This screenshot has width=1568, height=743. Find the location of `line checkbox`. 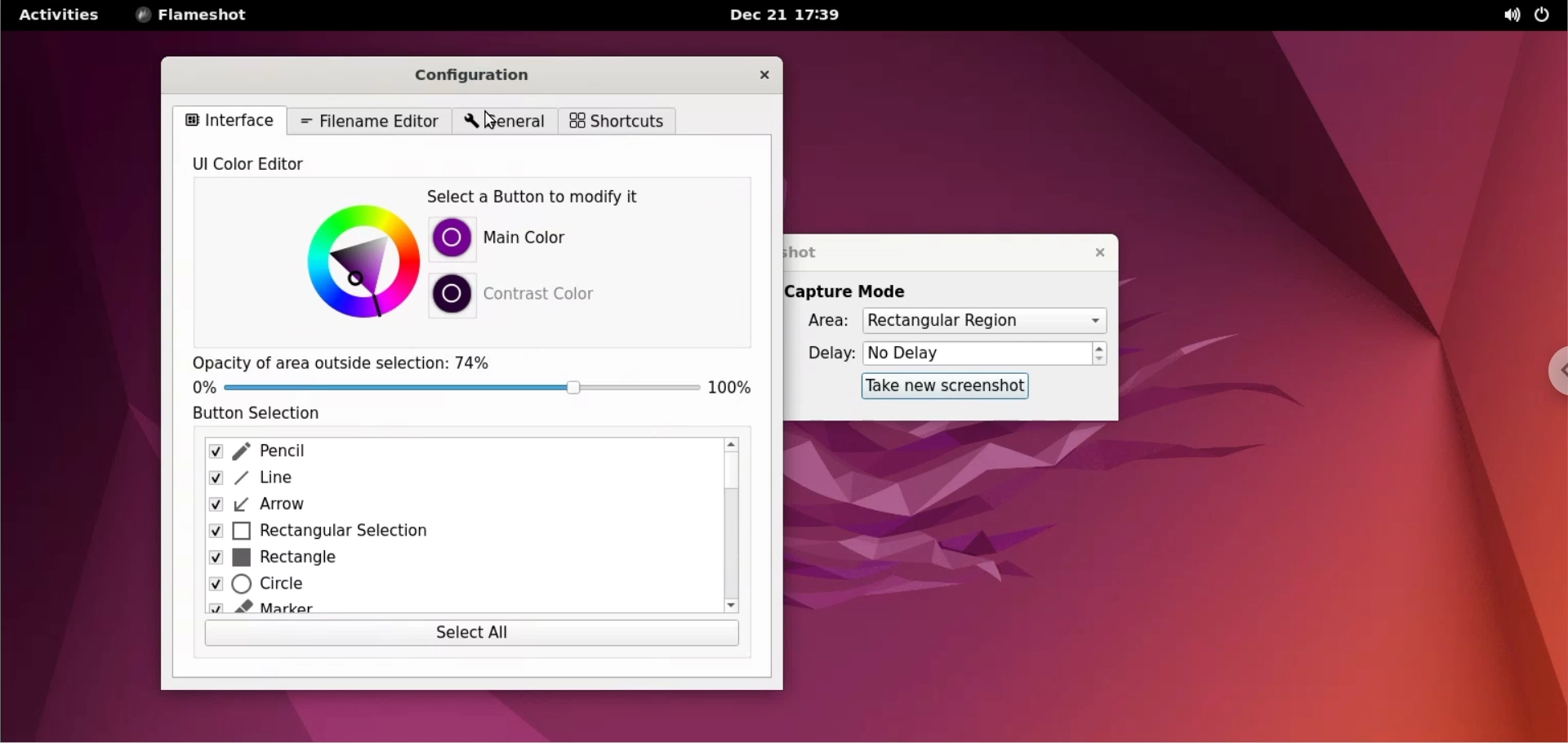

line checkbox is located at coordinates (460, 479).